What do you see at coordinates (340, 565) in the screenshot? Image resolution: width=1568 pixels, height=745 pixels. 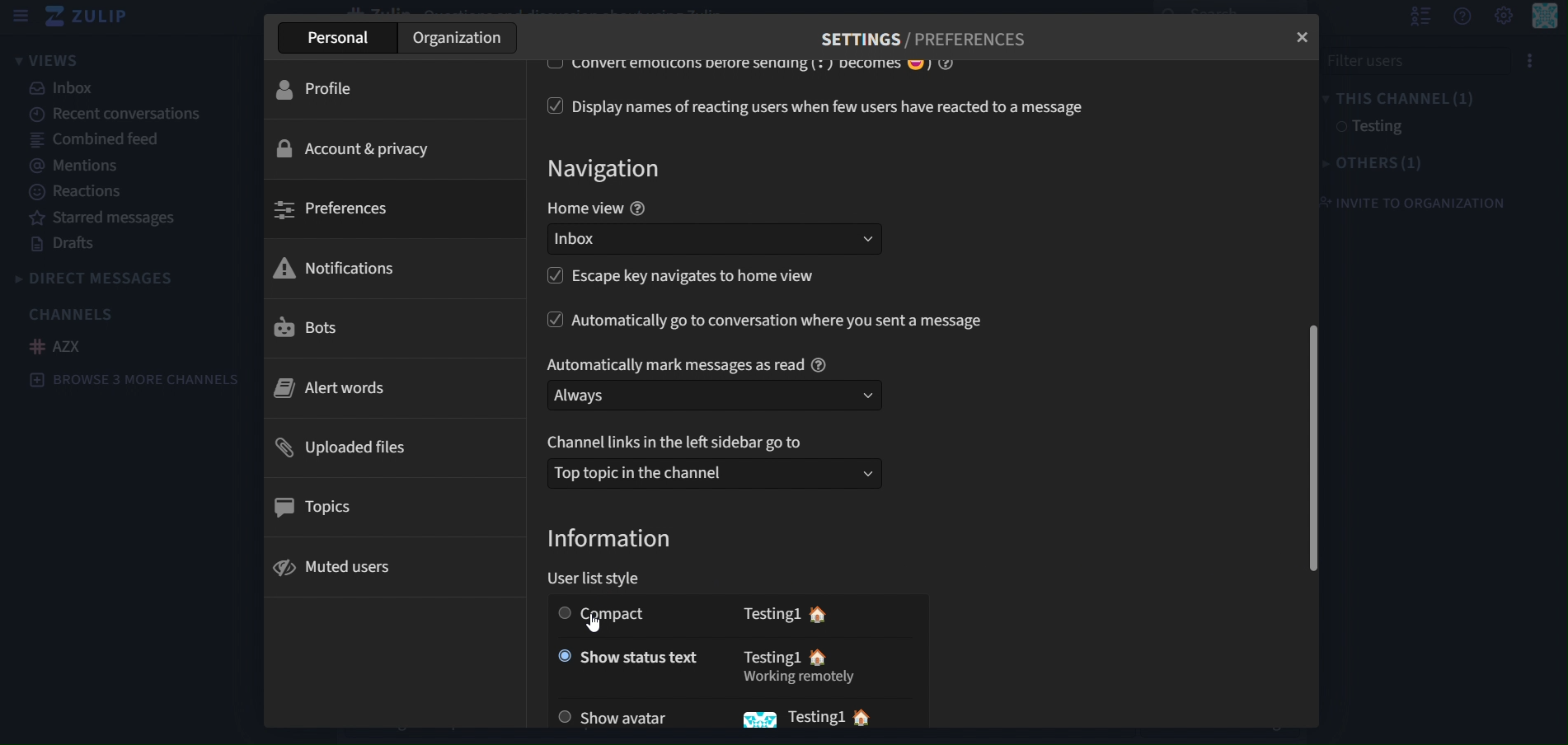 I see `muted users` at bounding box center [340, 565].